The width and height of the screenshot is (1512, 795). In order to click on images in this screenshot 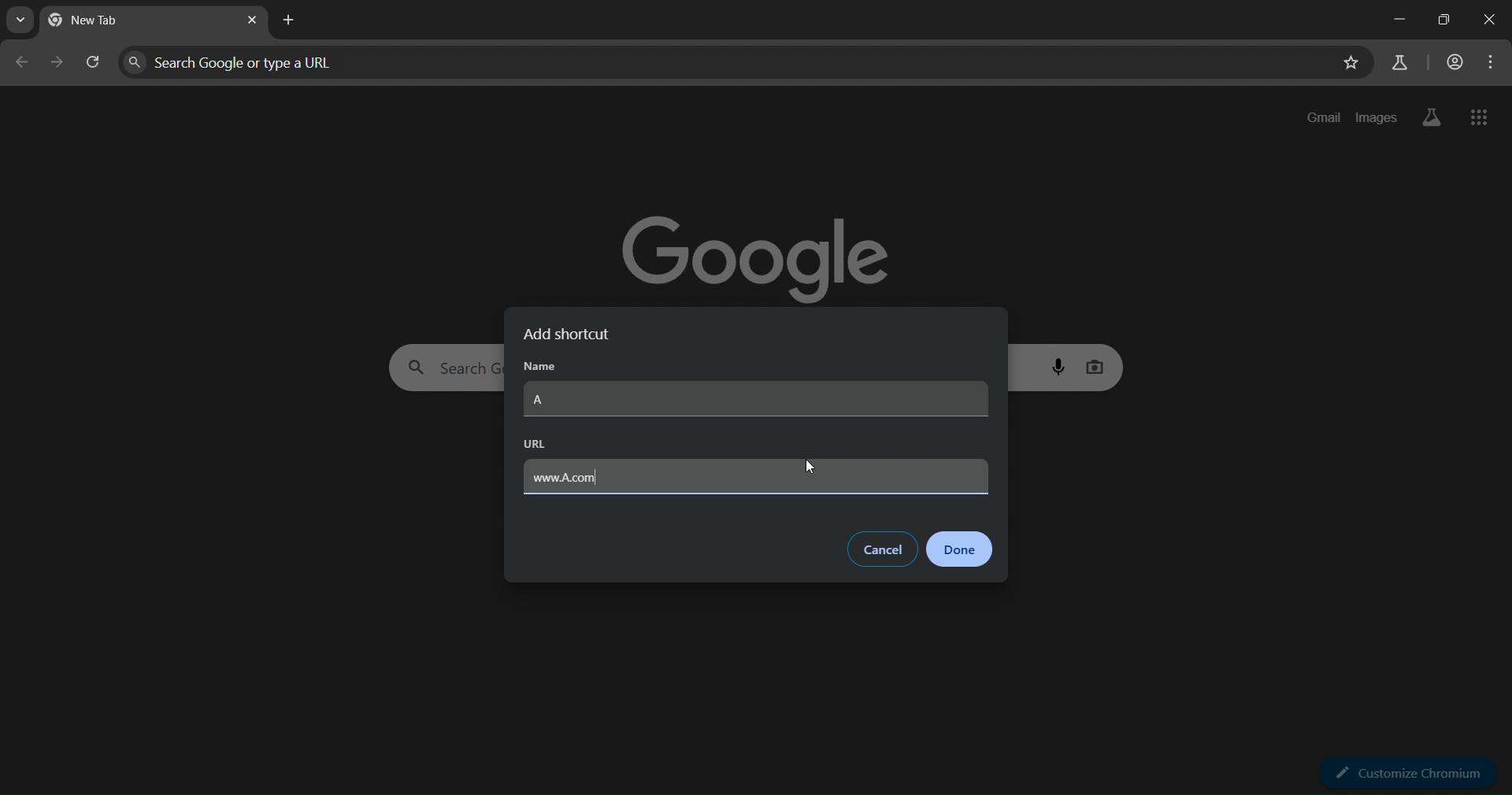, I will do `click(1377, 115)`.